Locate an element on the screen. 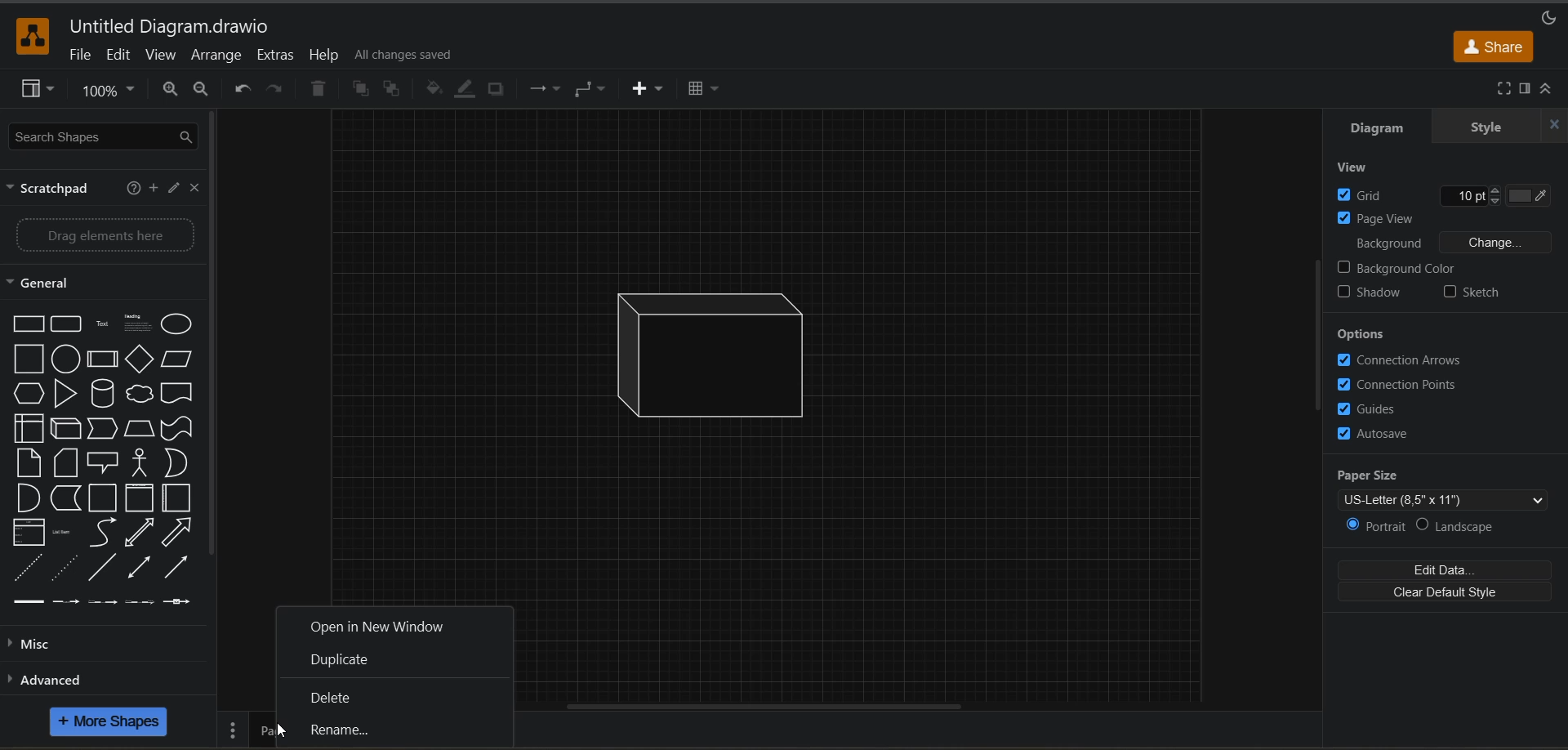 This screenshot has height=750, width=1568. share is located at coordinates (1494, 47).